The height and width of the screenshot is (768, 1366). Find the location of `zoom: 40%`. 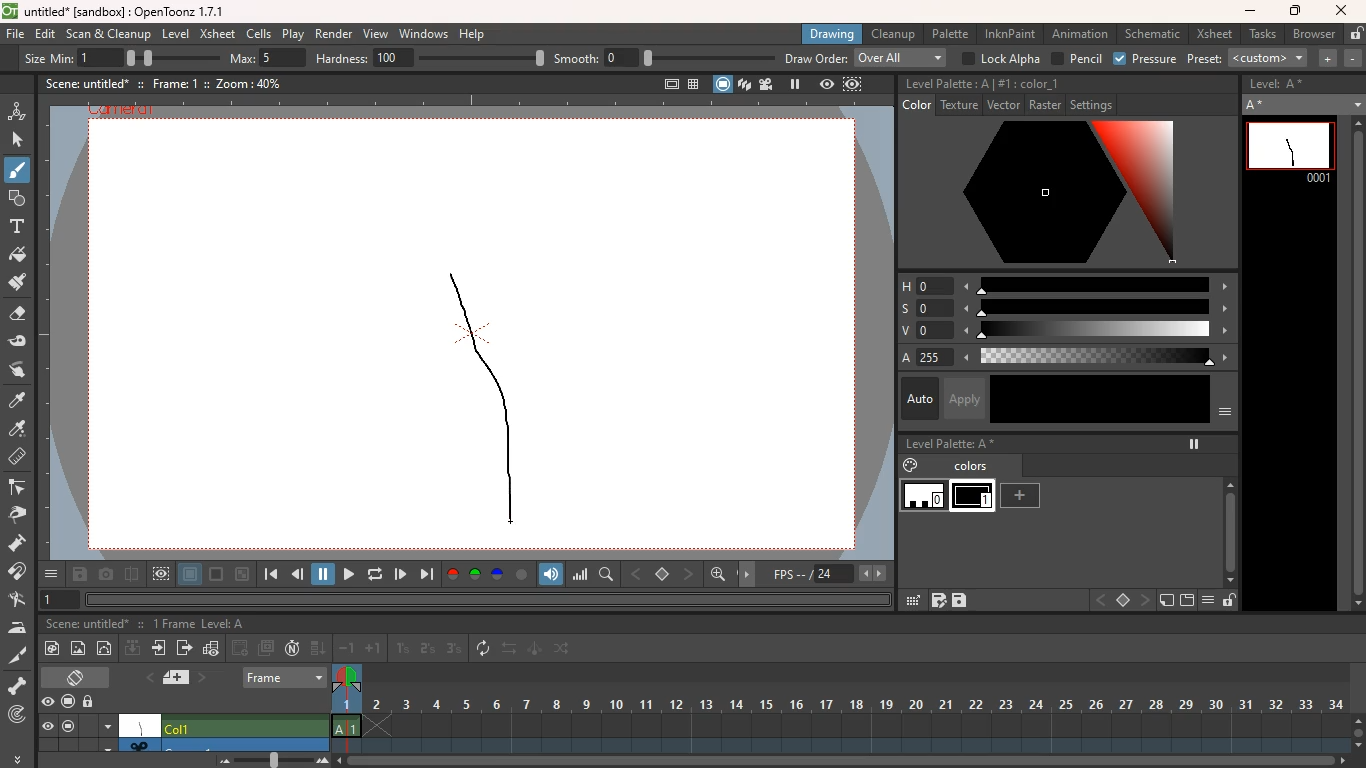

zoom: 40% is located at coordinates (247, 83).